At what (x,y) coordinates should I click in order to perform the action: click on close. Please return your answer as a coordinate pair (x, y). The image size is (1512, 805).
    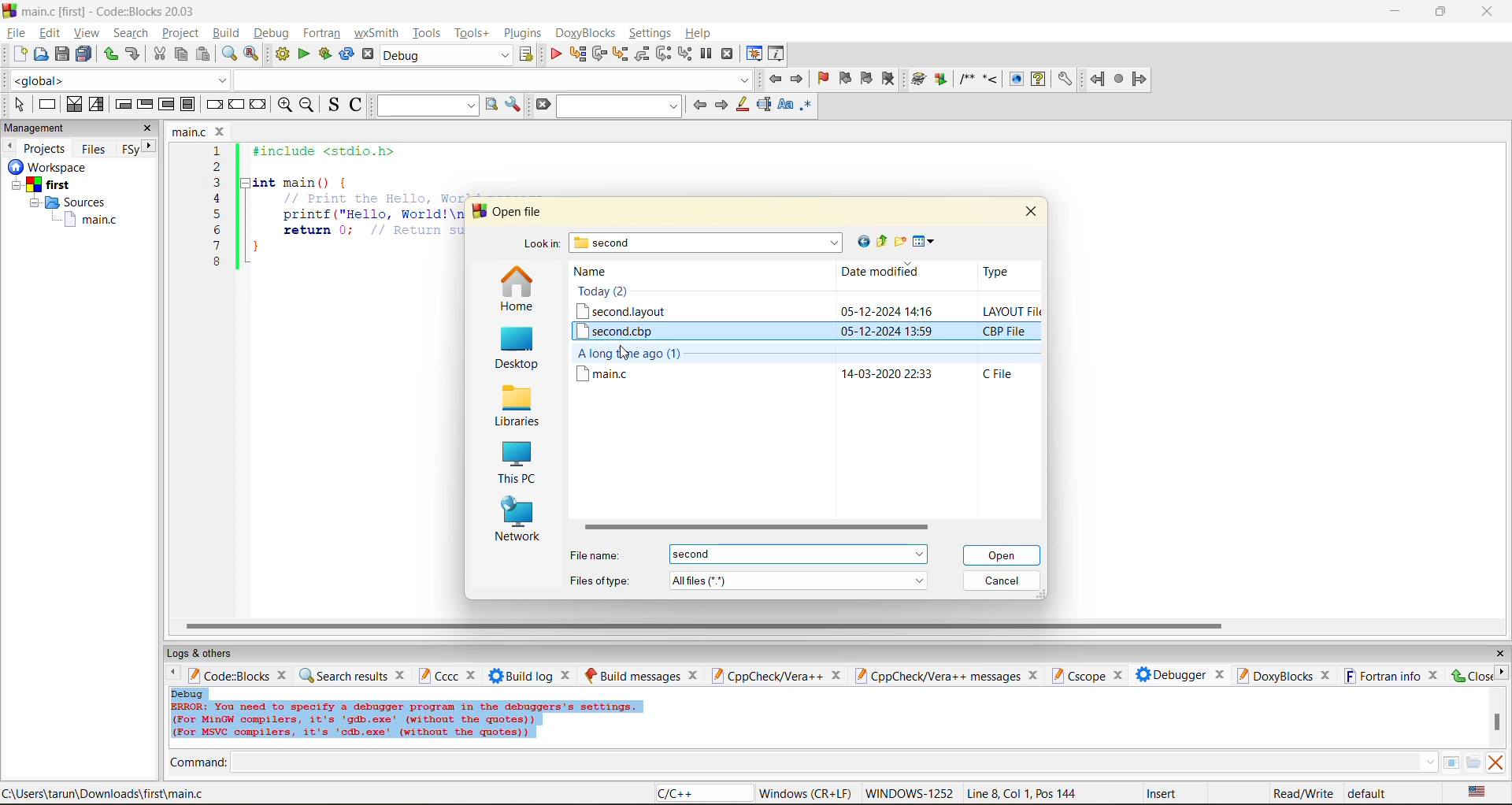
    Looking at the image, I should click on (222, 132).